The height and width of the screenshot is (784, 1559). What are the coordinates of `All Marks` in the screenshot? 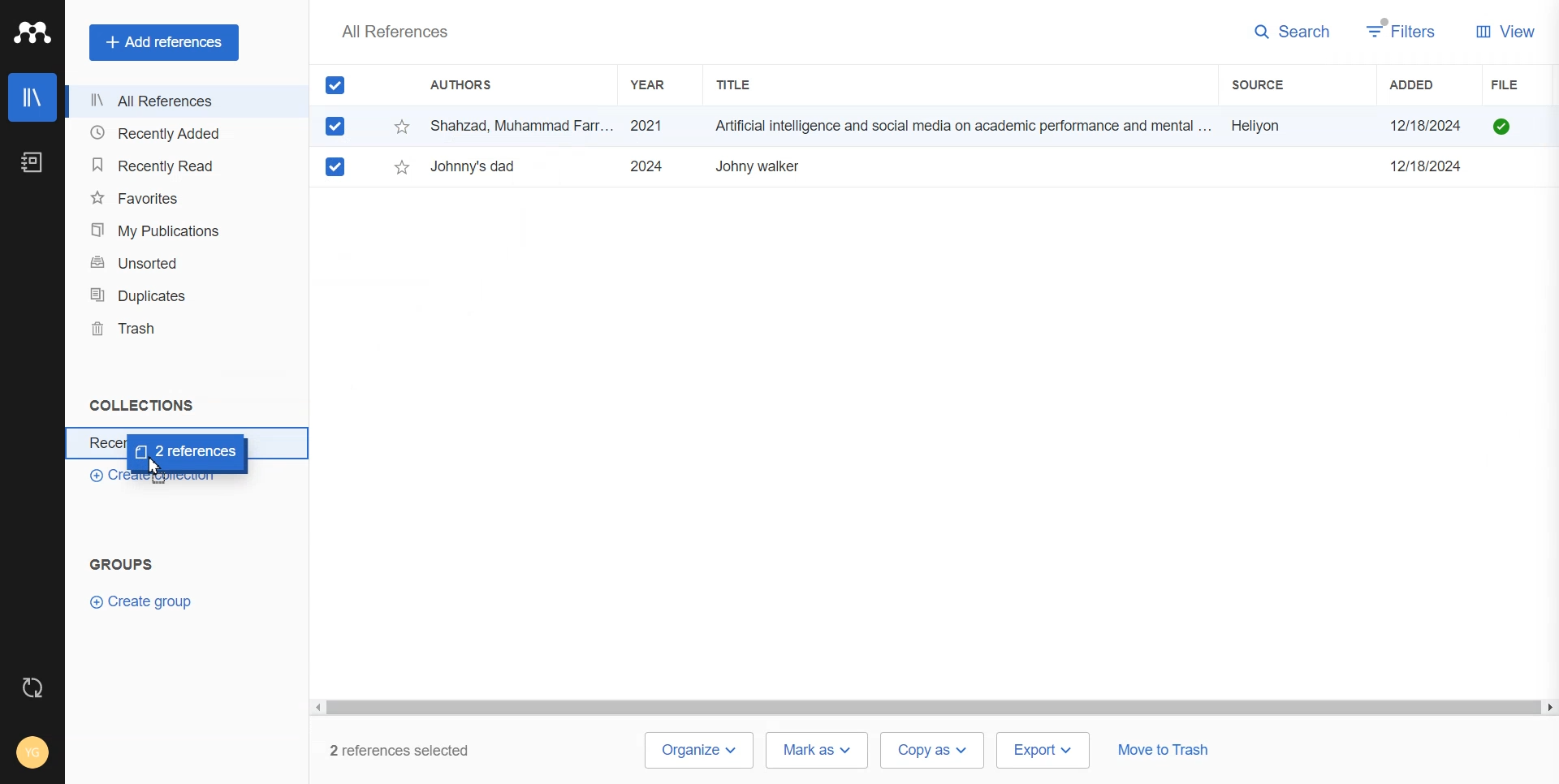 It's located at (335, 84).